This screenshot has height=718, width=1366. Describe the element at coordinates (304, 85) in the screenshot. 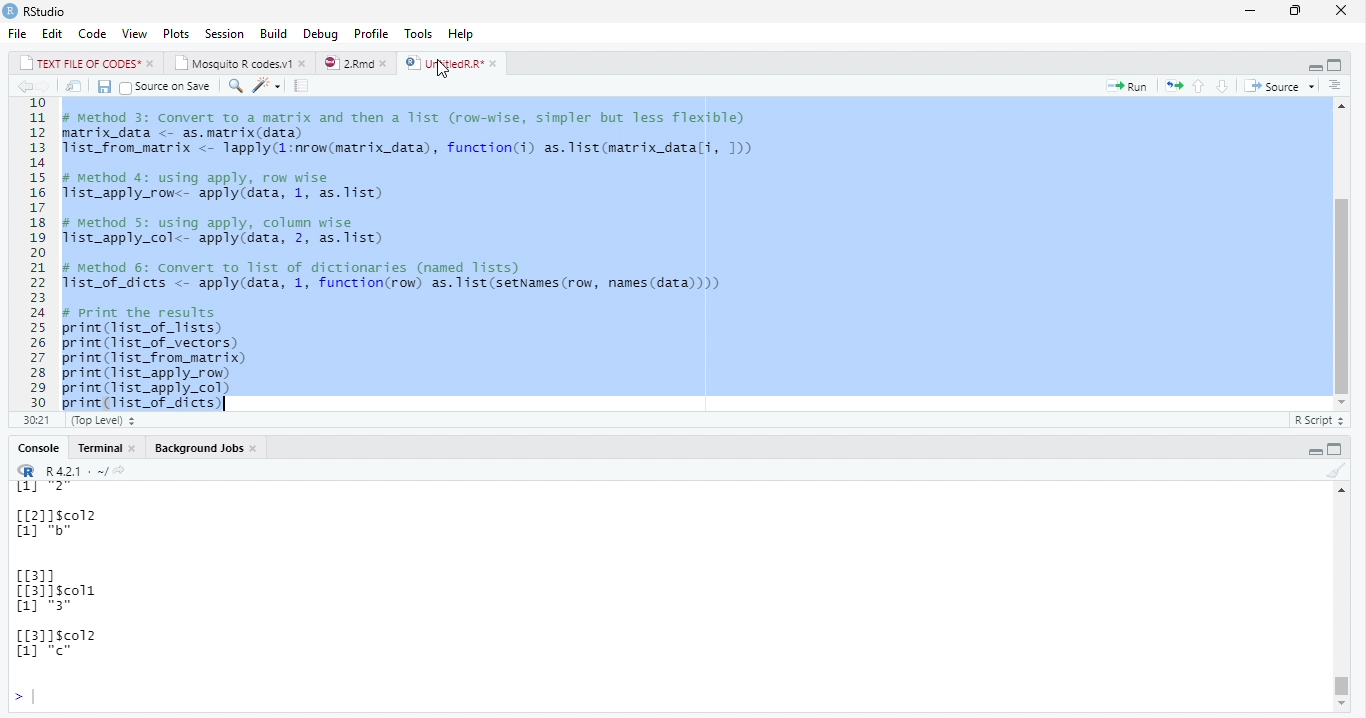

I see `compile report` at that location.